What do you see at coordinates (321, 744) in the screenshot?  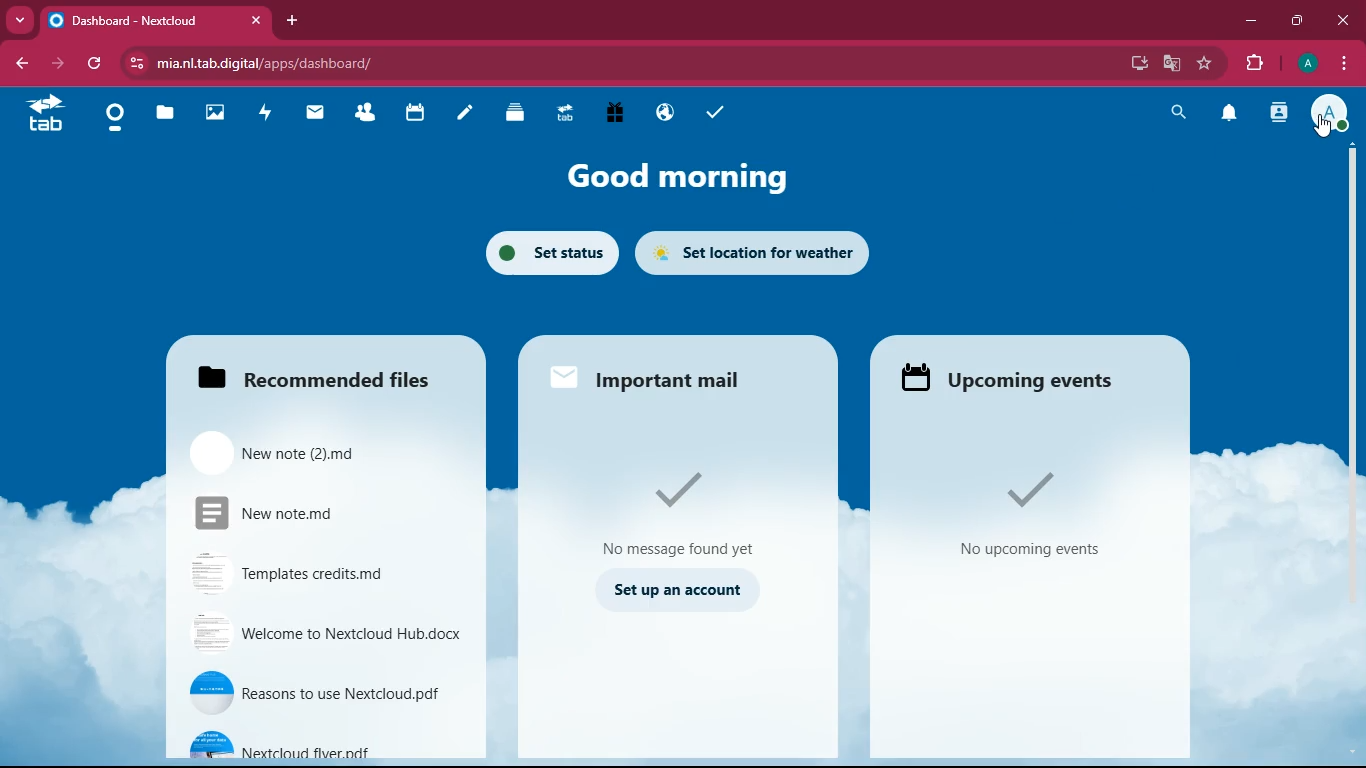 I see `Nextclous flyer.pdf` at bounding box center [321, 744].